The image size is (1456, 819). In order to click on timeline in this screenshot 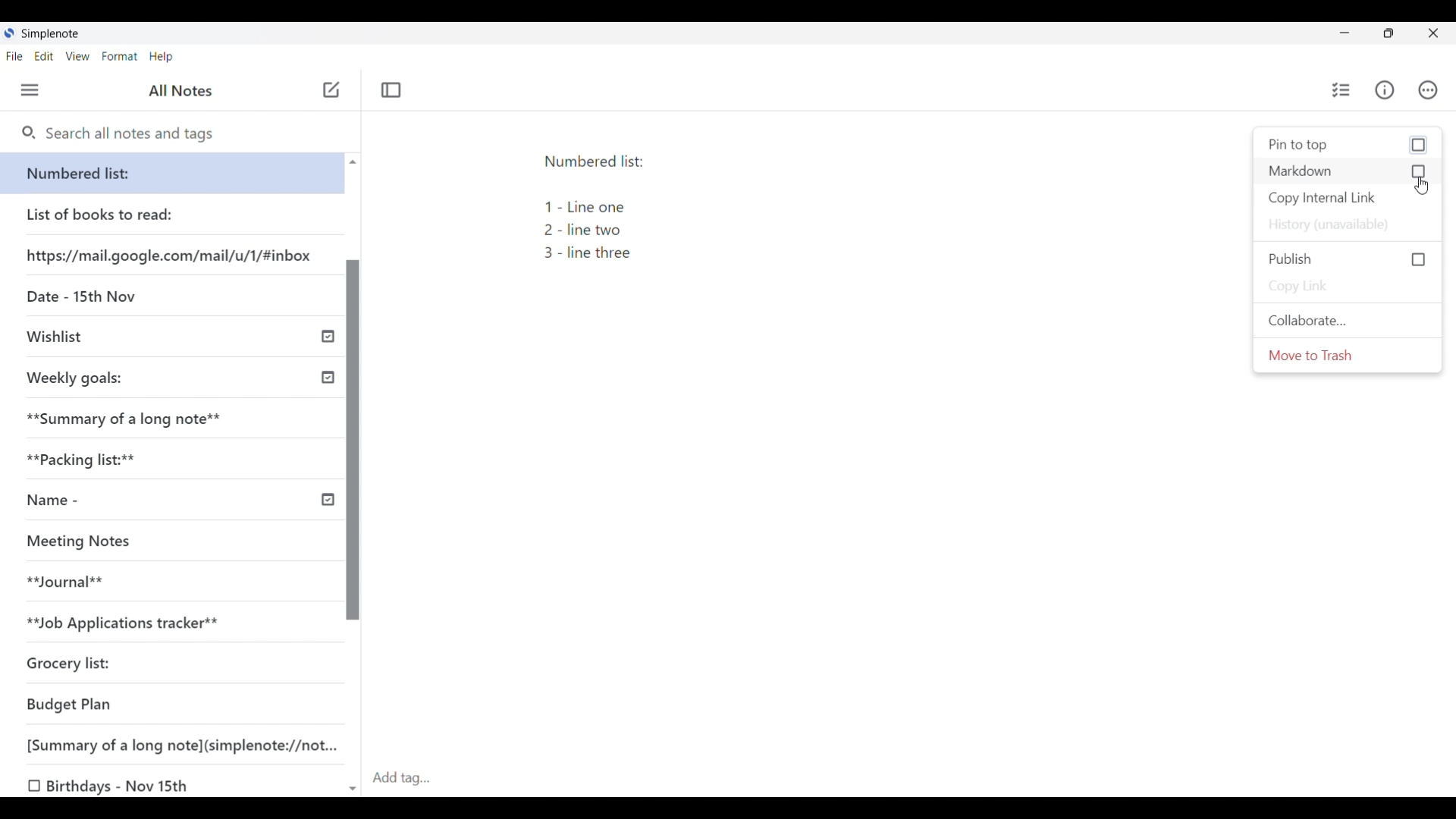, I will do `click(326, 335)`.